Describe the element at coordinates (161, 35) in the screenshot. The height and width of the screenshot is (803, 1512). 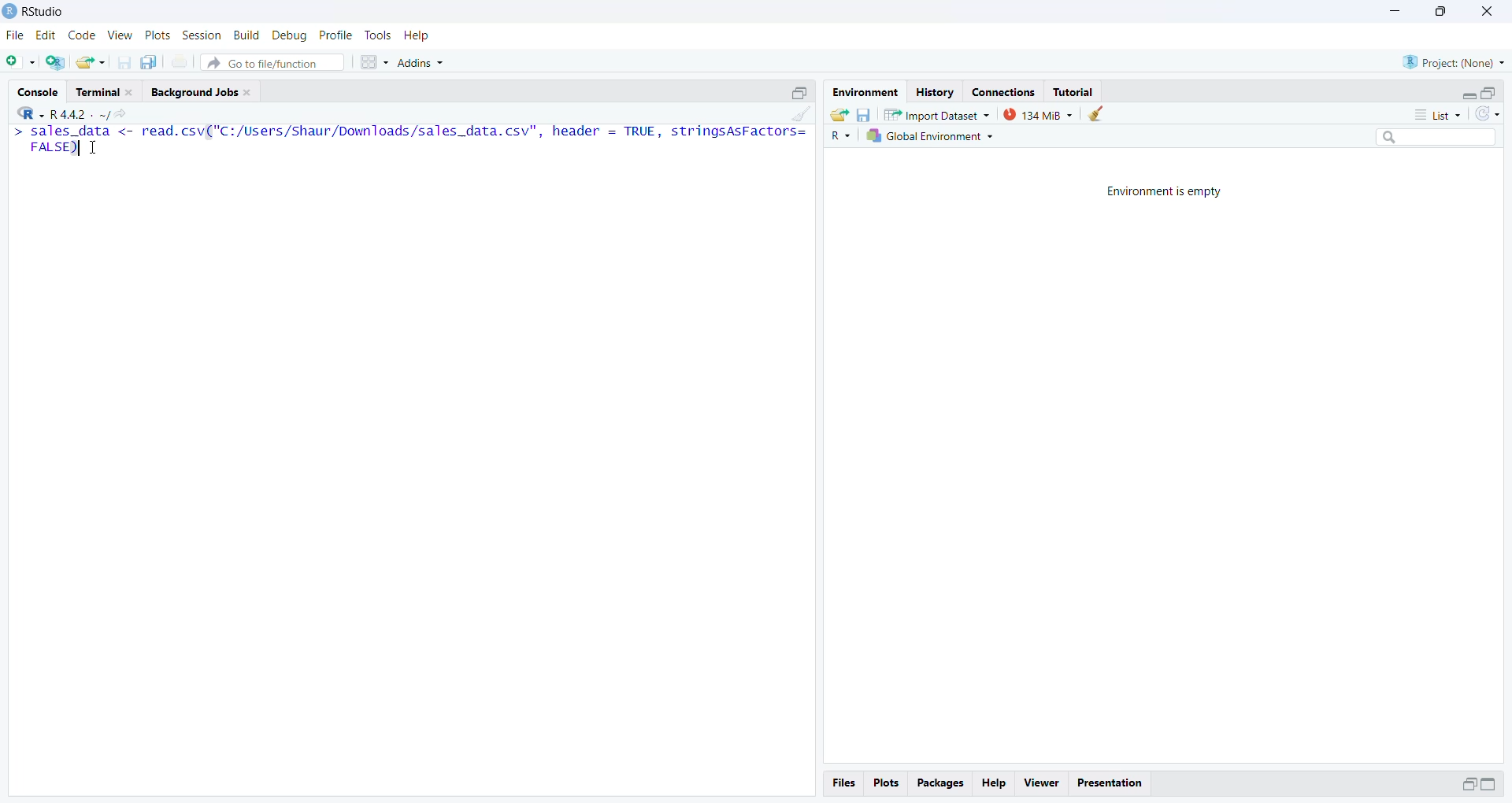
I see `Plots` at that location.